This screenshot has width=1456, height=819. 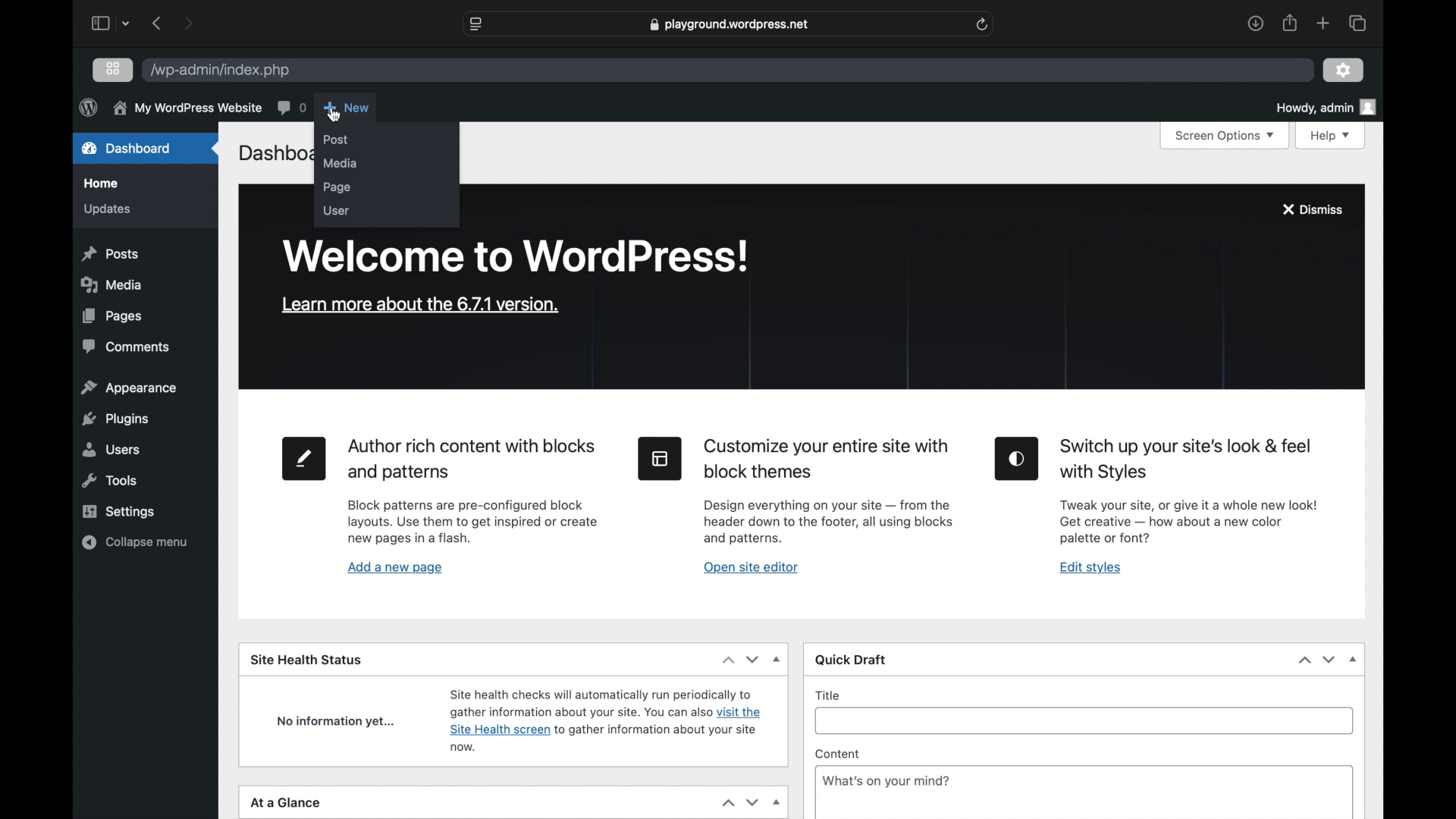 What do you see at coordinates (1327, 106) in the screenshot?
I see `howdy admin` at bounding box center [1327, 106].